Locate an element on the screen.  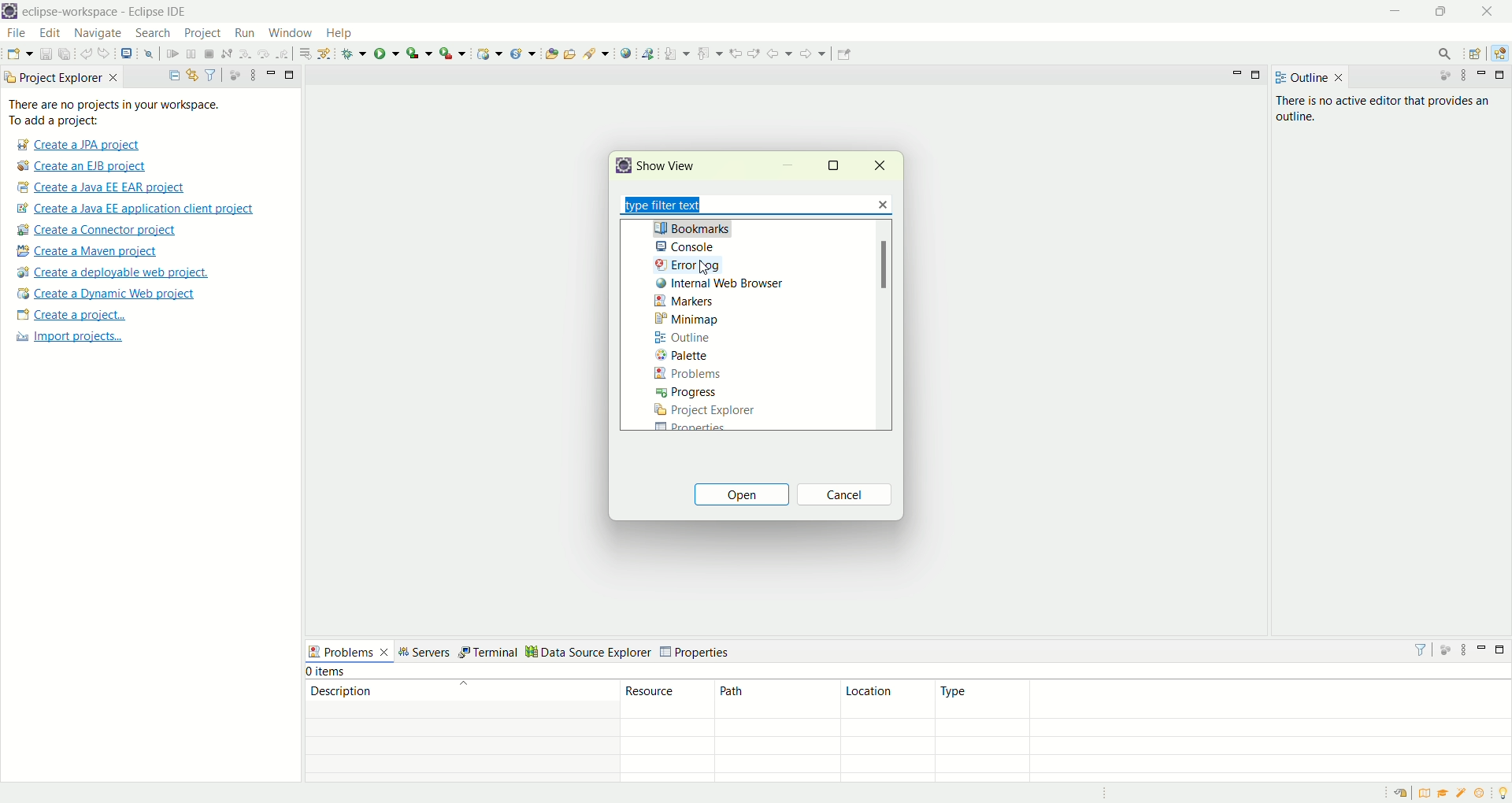
focus on active task is located at coordinates (1447, 76).